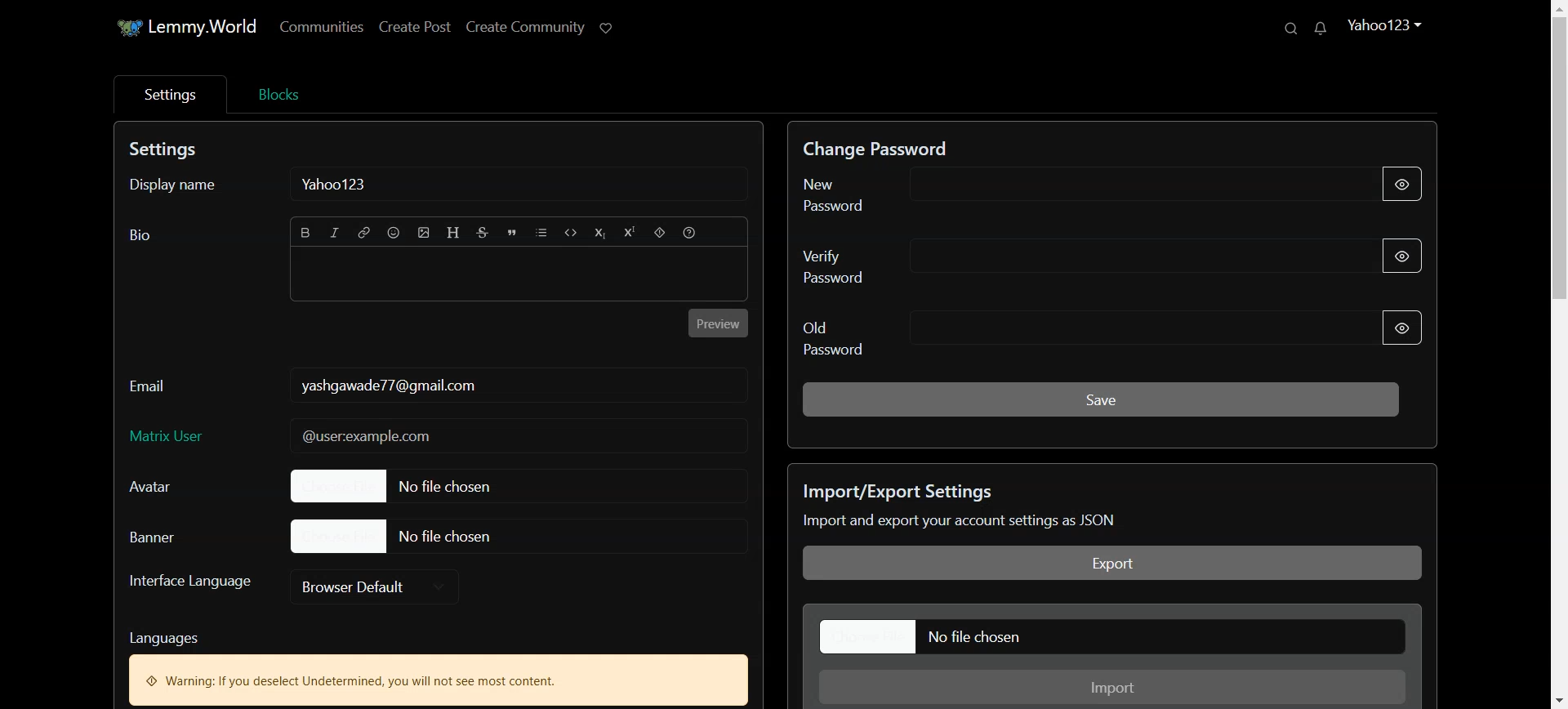 The image size is (1568, 709). I want to click on Hyperlink, so click(364, 234).